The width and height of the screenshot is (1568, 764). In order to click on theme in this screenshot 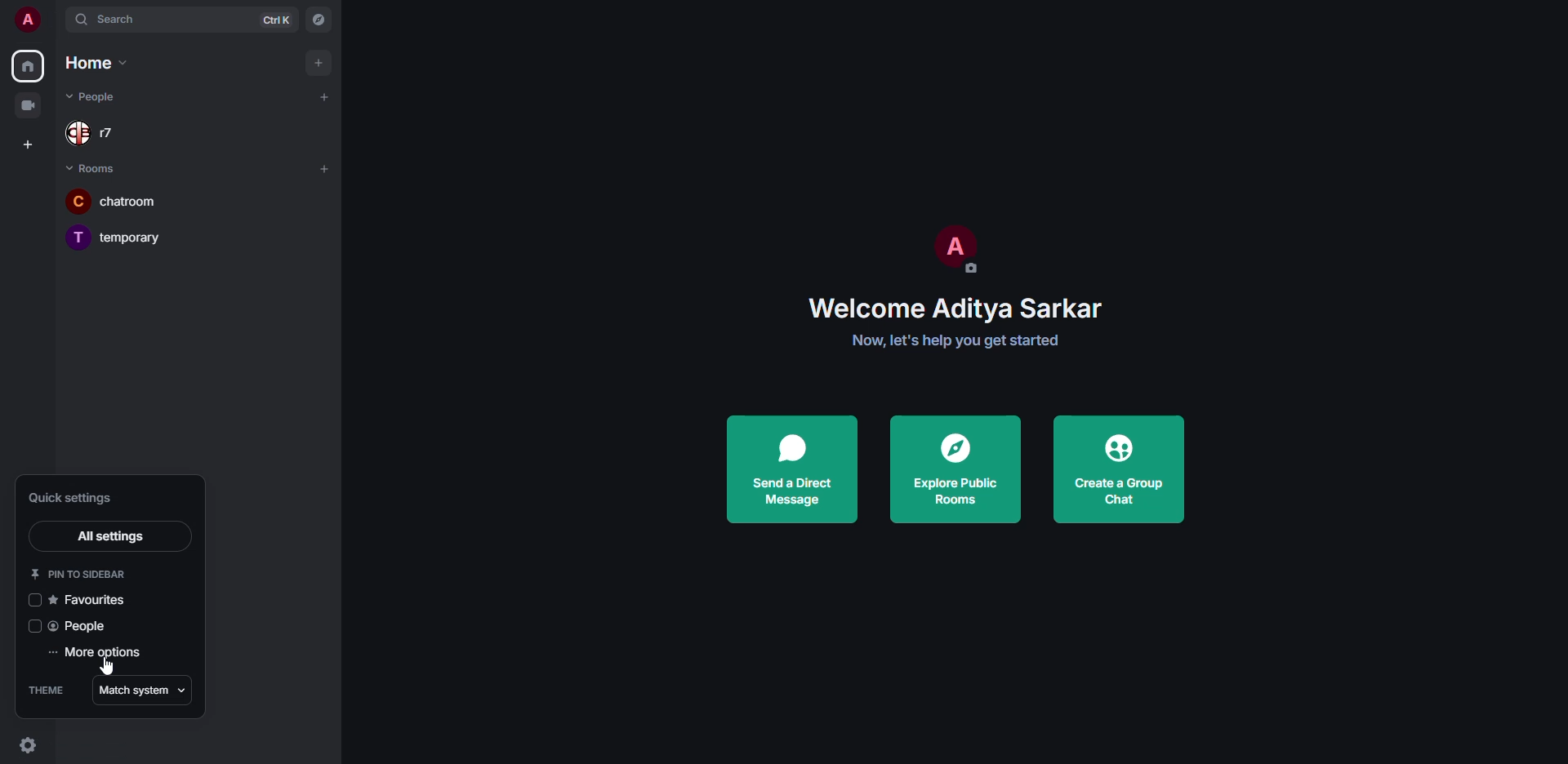, I will do `click(50, 690)`.